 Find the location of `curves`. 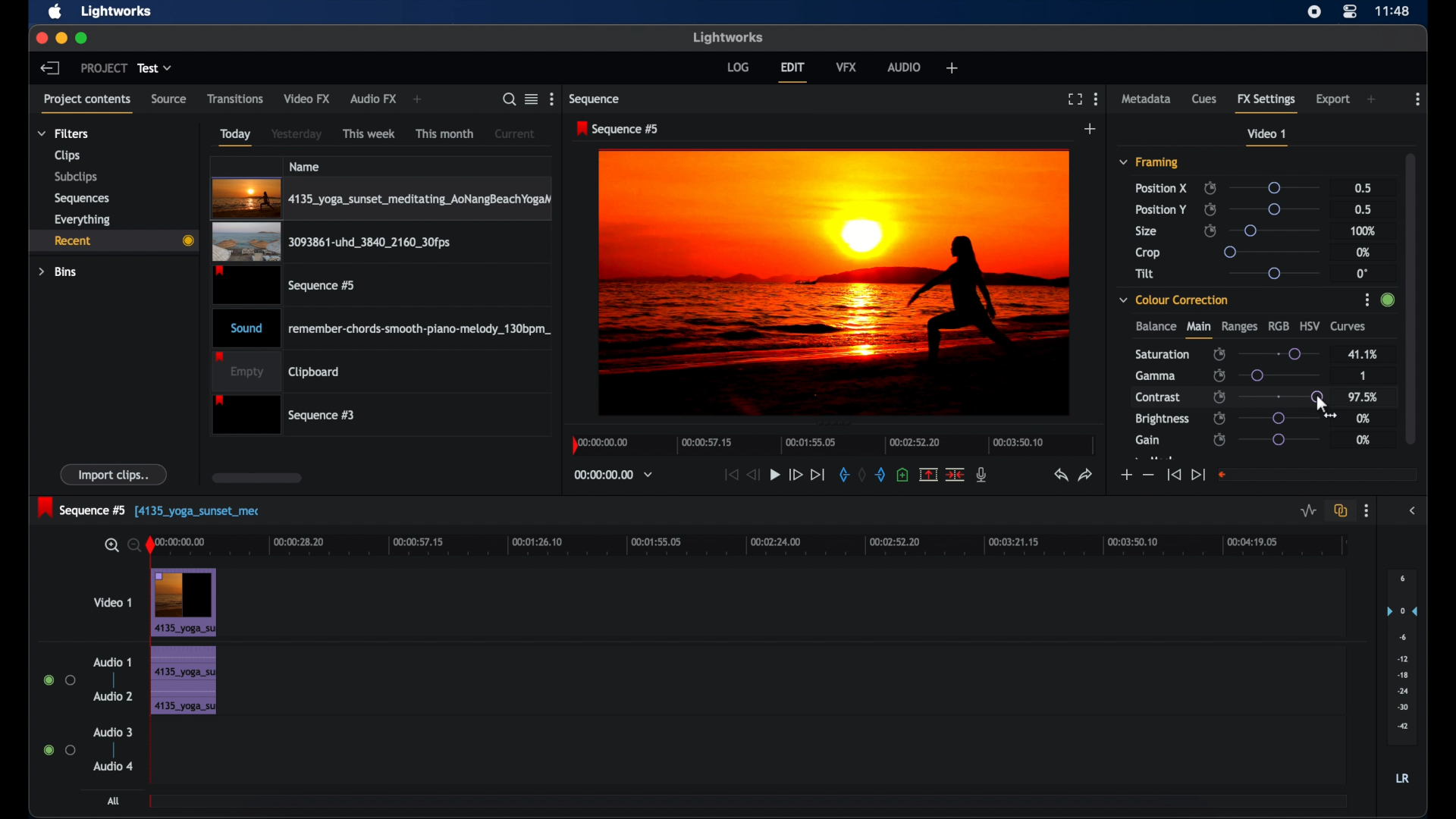

curves is located at coordinates (1350, 327).